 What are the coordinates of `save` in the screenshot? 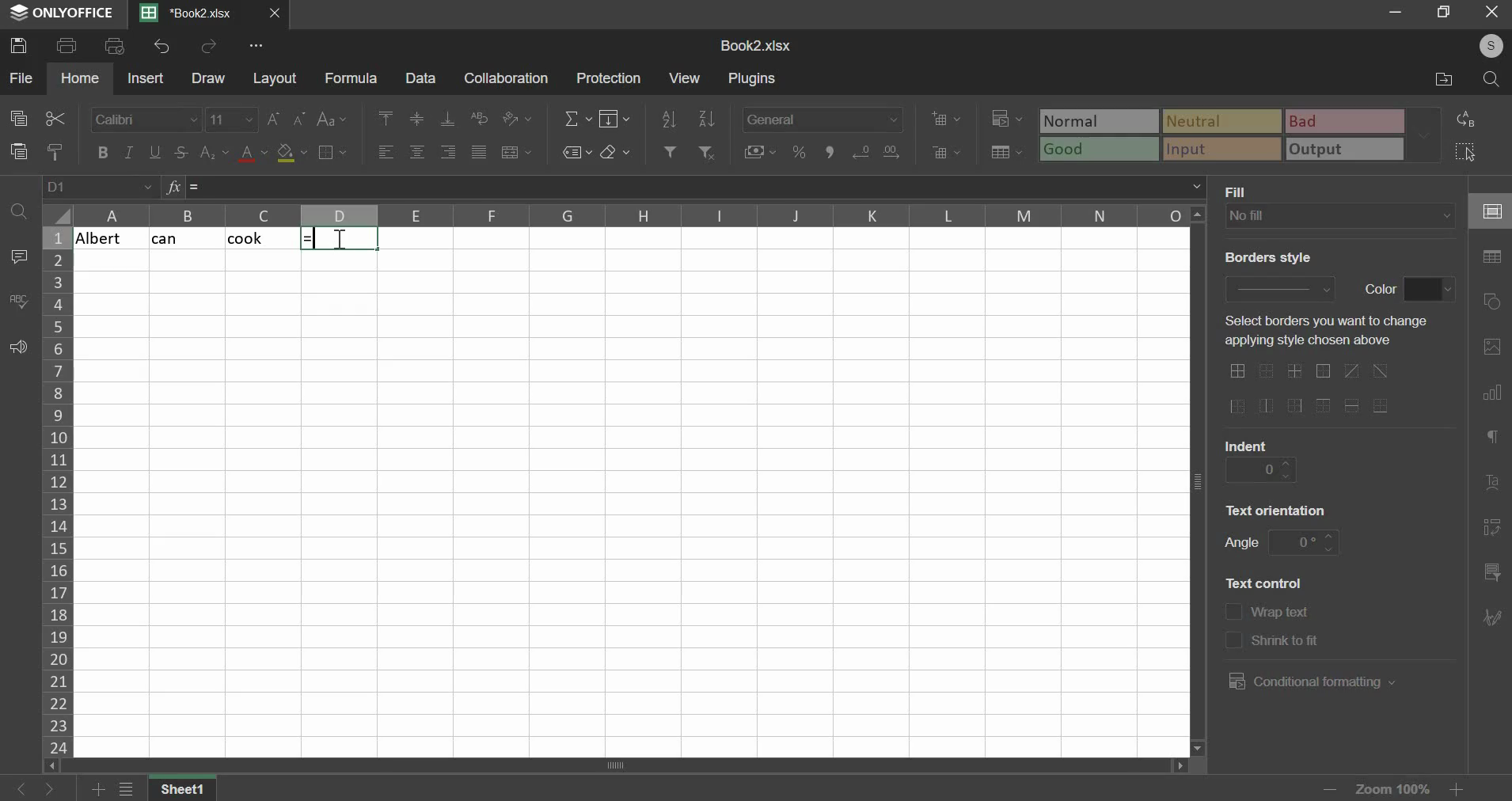 It's located at (22, 45).